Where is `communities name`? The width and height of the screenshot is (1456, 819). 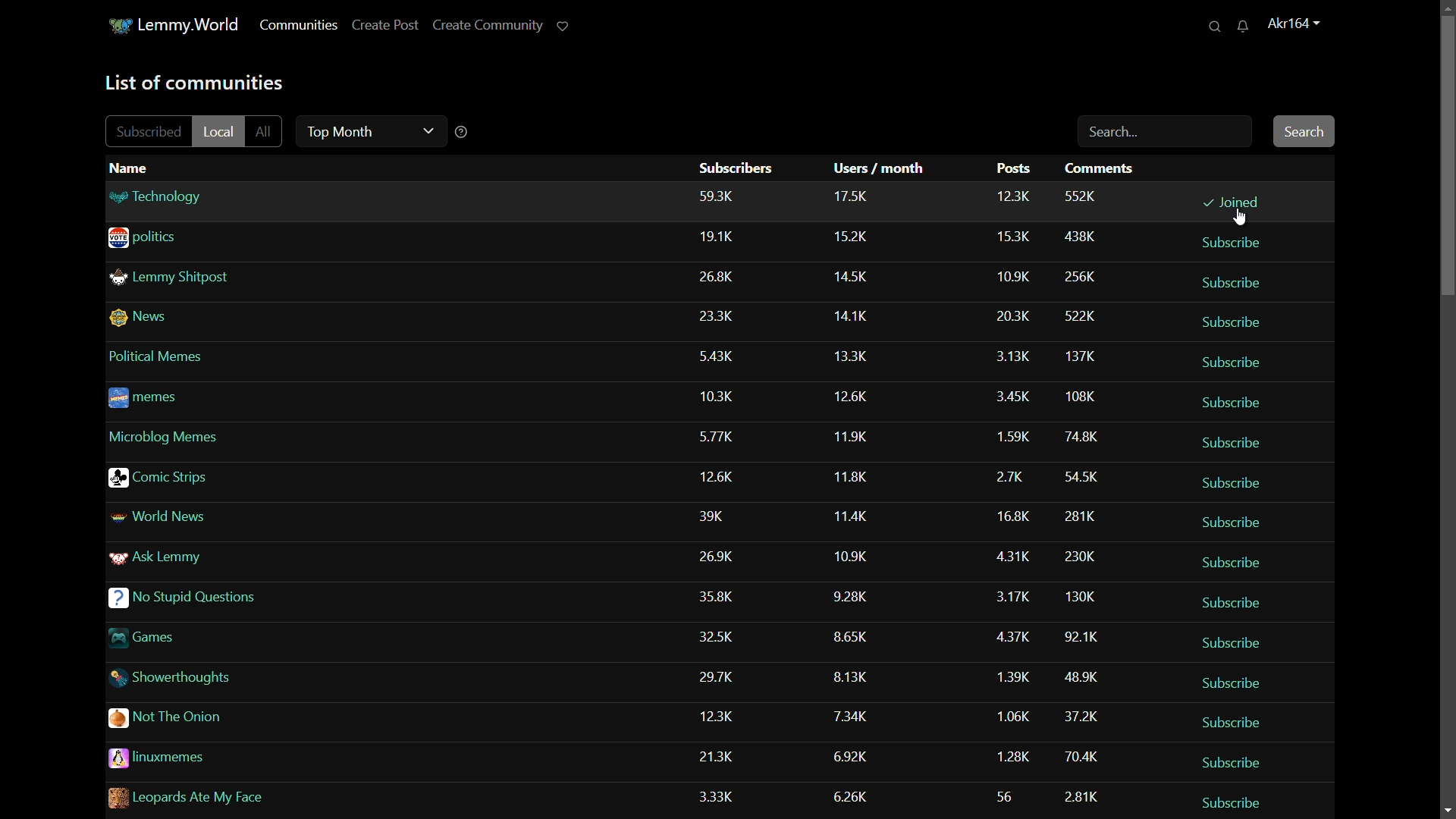 communities name is located at coordinates (235, 562).